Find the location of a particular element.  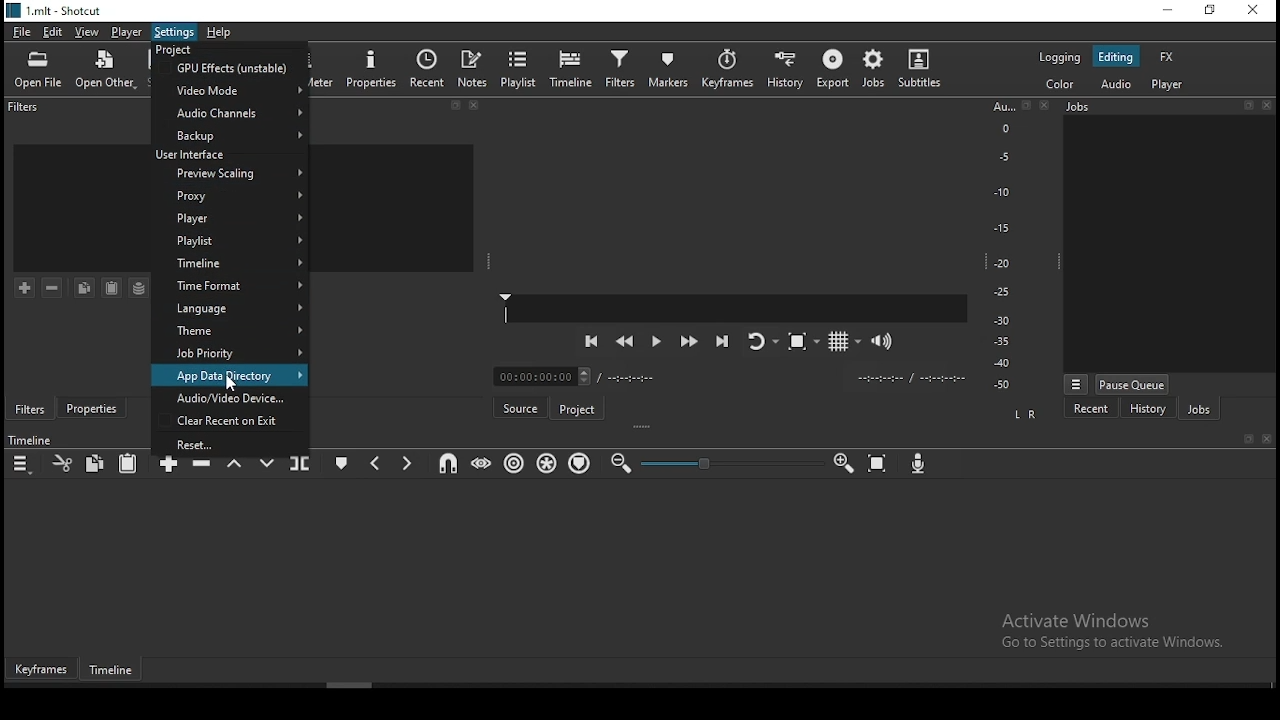

proxy is located at coordinates (228, 176).